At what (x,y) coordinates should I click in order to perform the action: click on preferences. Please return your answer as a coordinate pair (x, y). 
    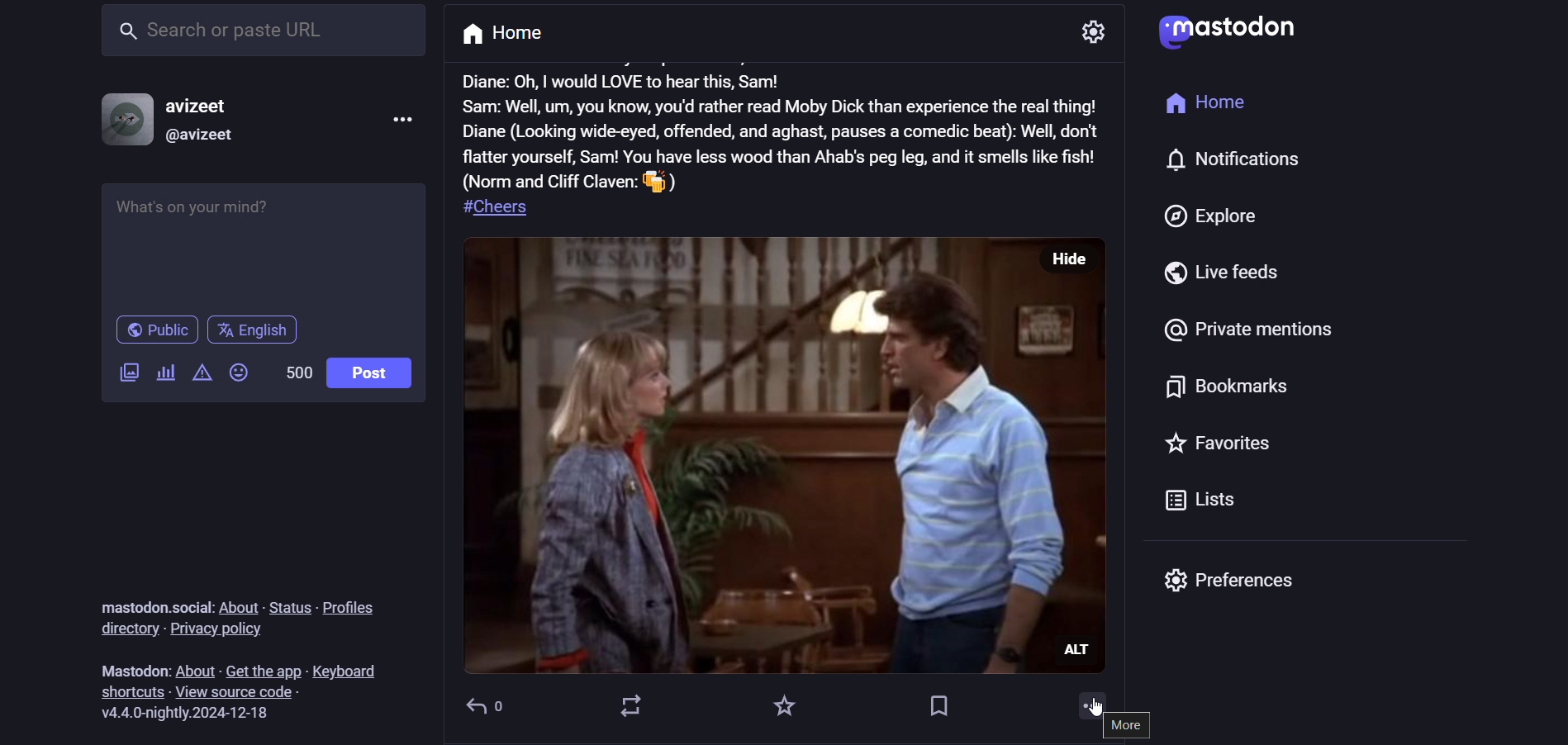
    Looking at the image, I should click on (1247, 582).